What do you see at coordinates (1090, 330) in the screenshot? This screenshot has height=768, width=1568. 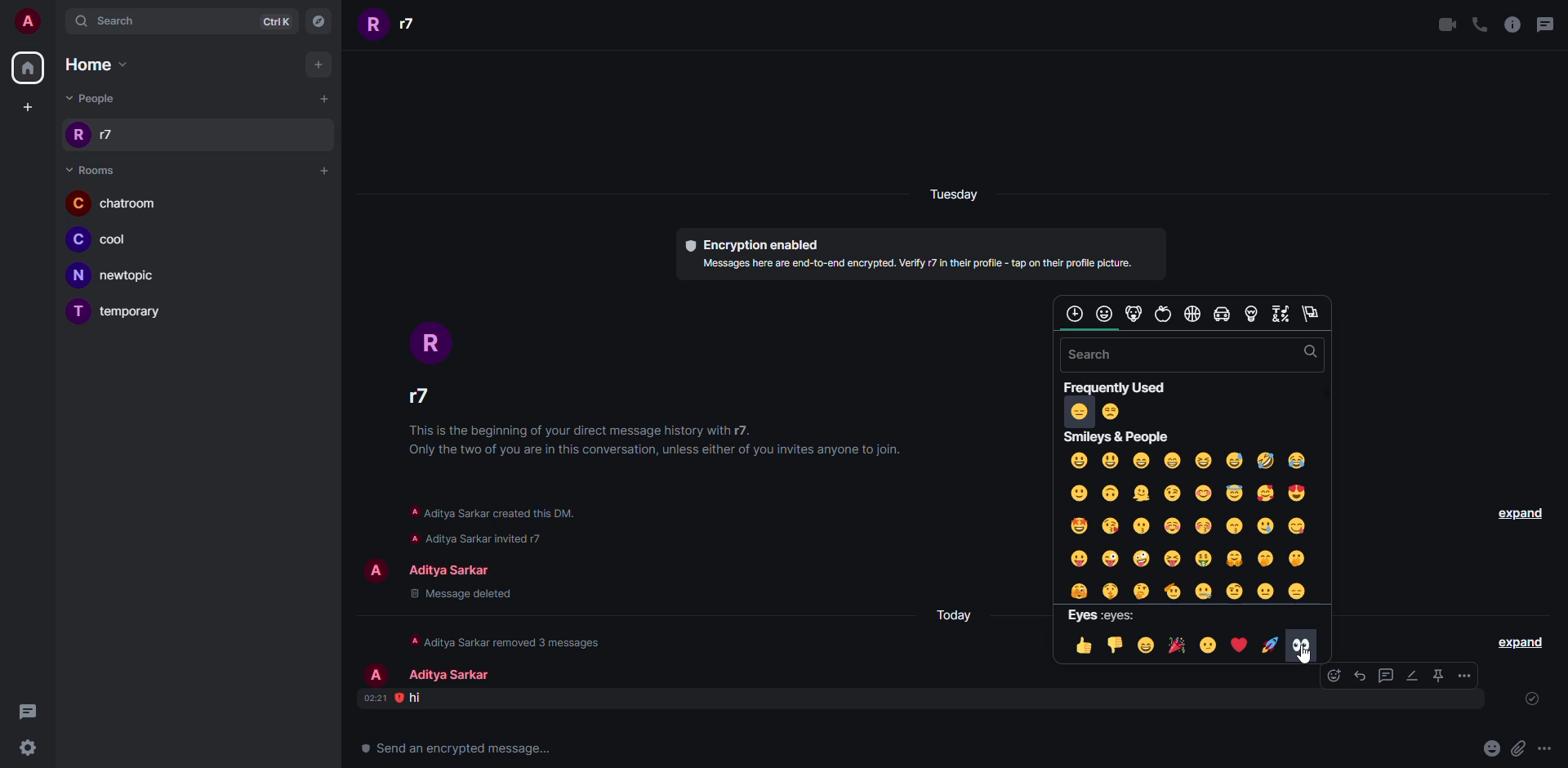 I see `scroll` at bounding box center [1090, 330].